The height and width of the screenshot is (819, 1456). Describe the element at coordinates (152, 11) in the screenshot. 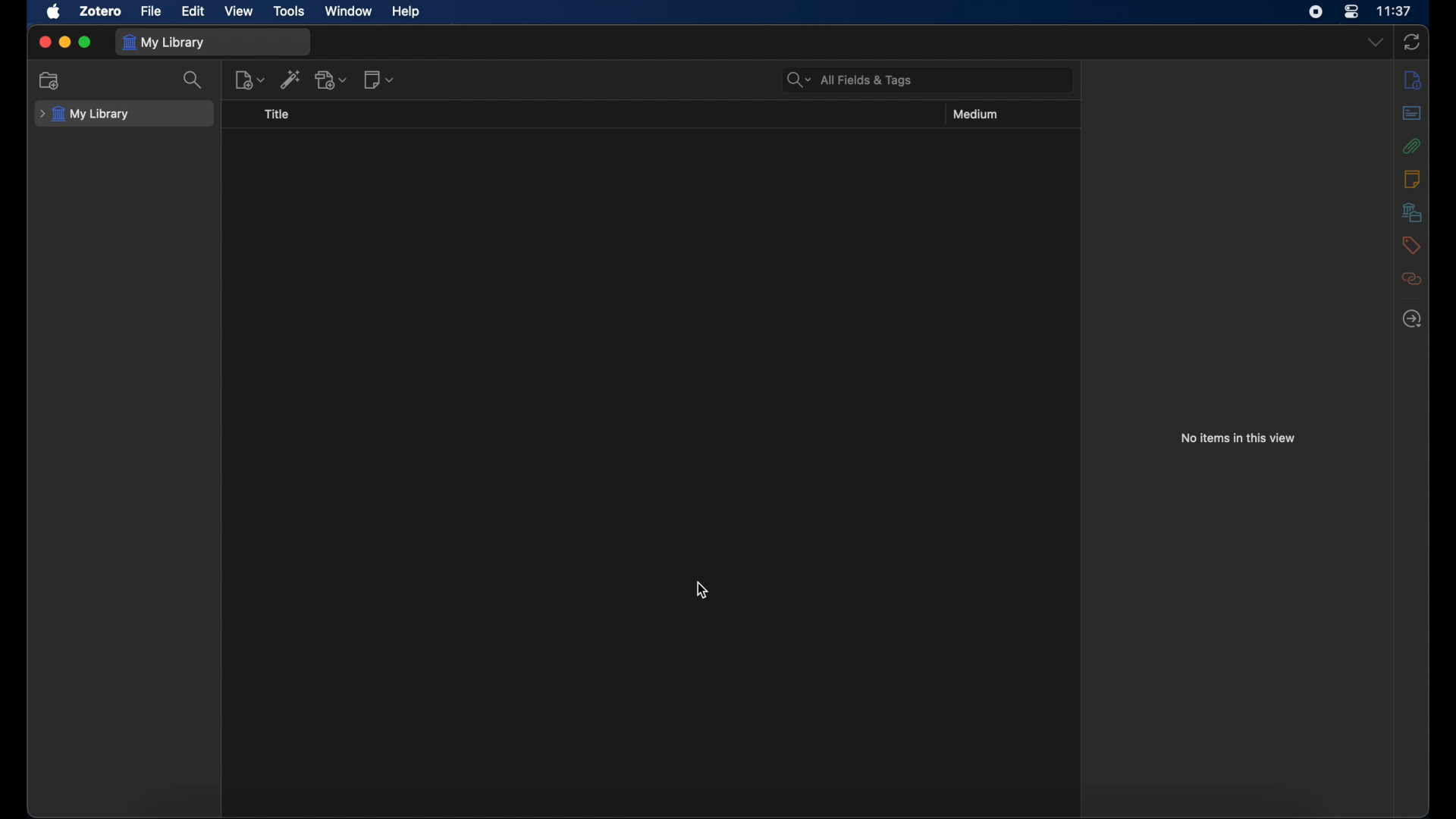

I see `file` at that location.